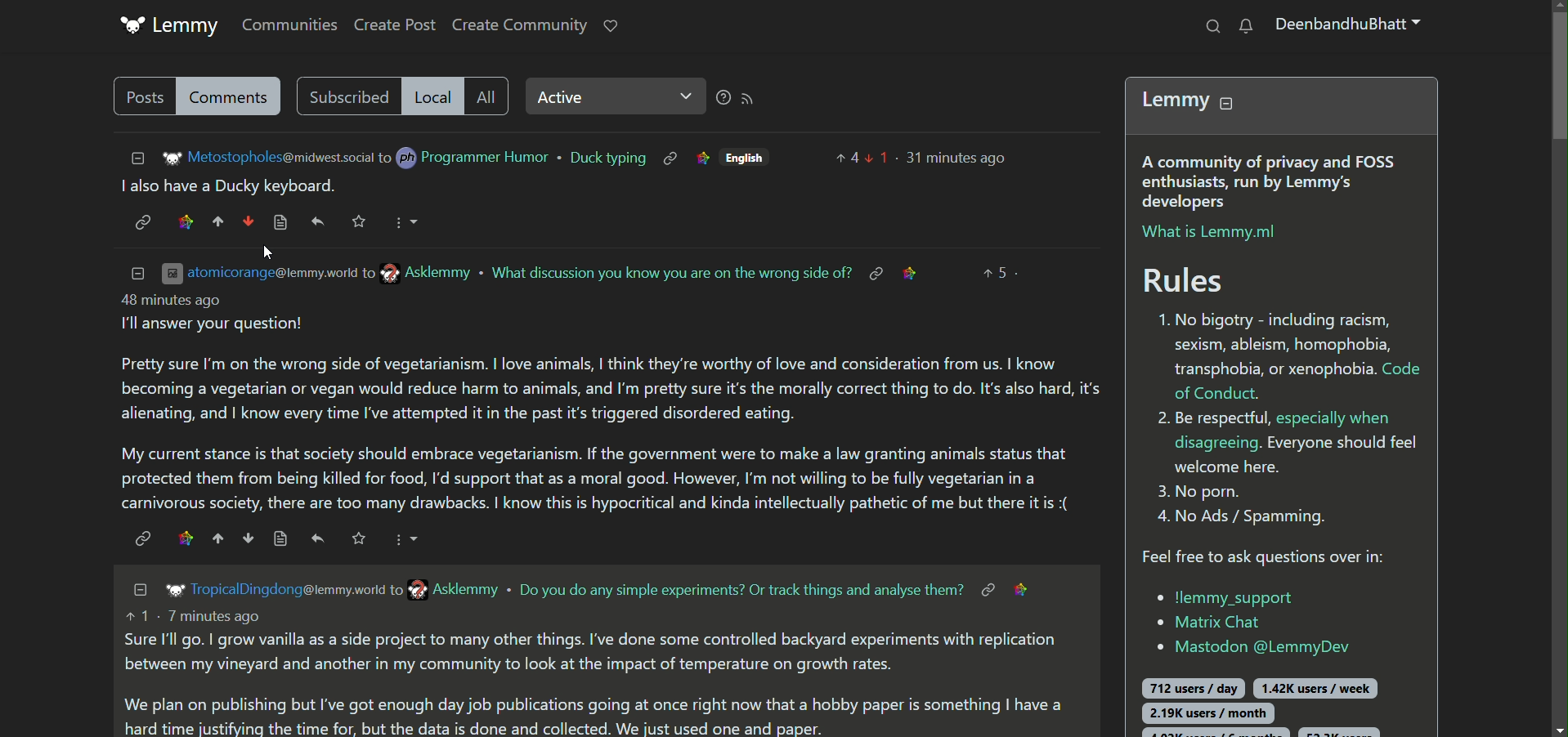 This screenshot has width=1568, height=737. Describe the element at coordinates (132, 157) in the screenshot. I see `minimize` at that location.